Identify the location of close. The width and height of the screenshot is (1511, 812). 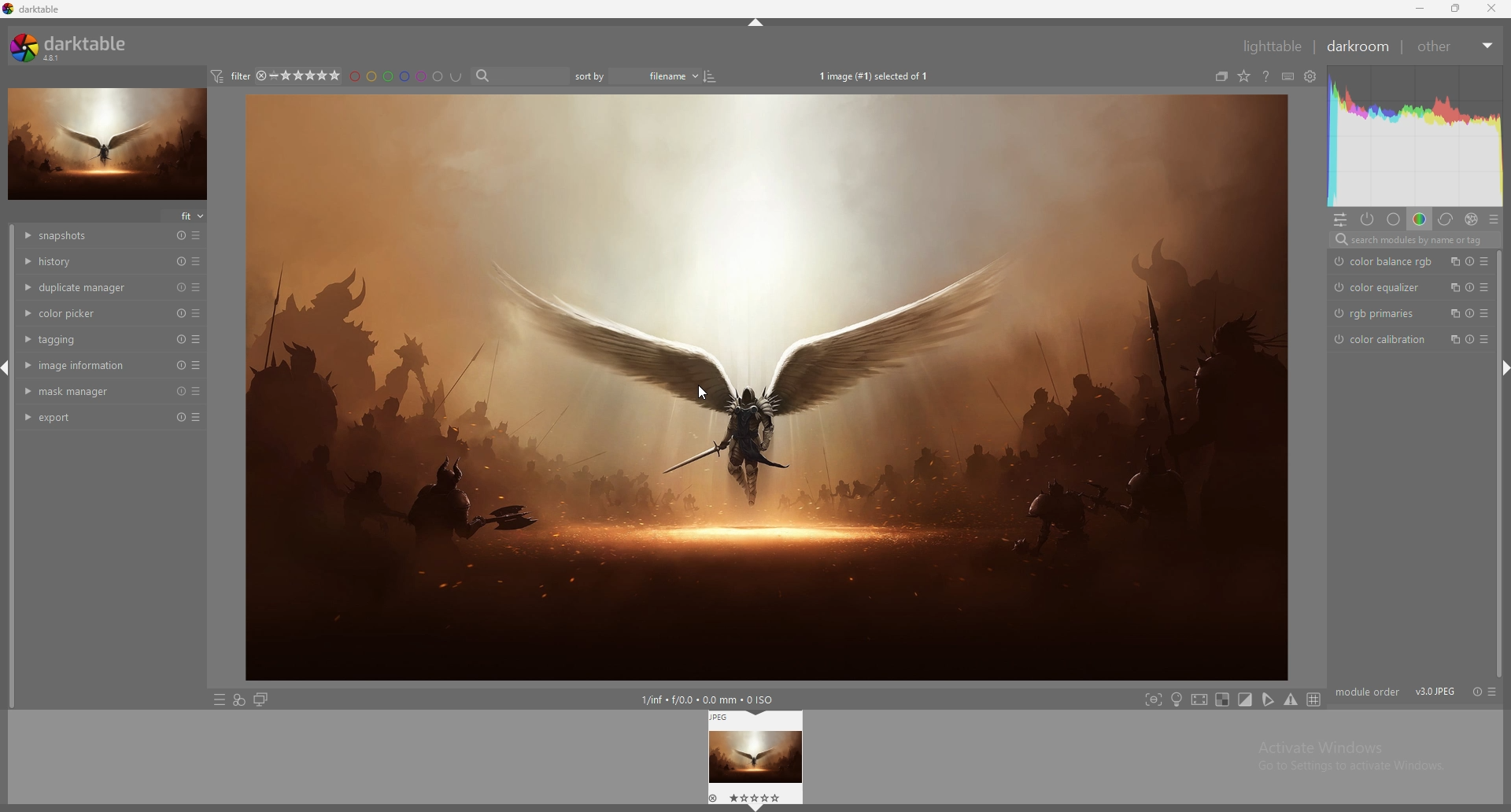
(1494, 9).